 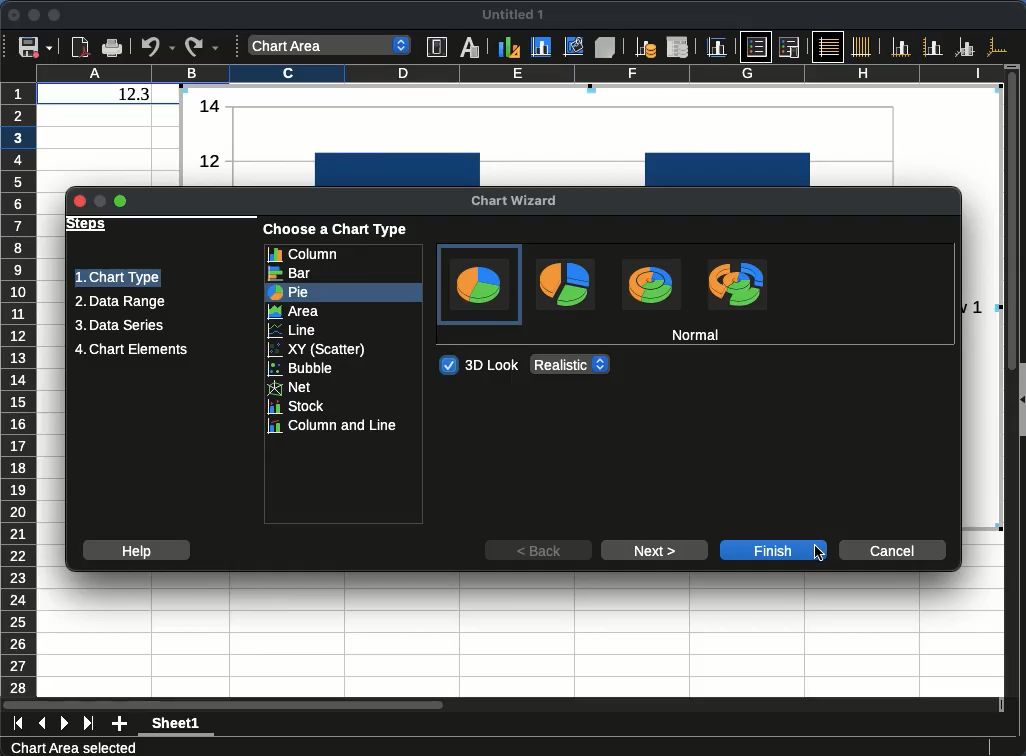 What do you see at coordinates (1012, 225) in the screenshot?
I see `Vertical slide bar` at bounding box center [1012, 225].